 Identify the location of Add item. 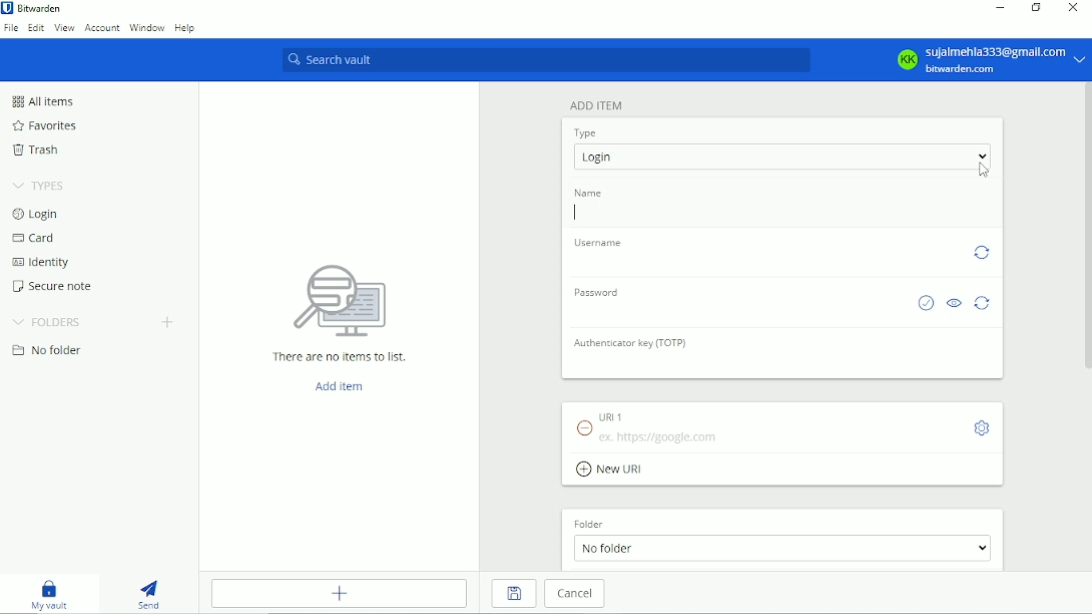
(337, 385).